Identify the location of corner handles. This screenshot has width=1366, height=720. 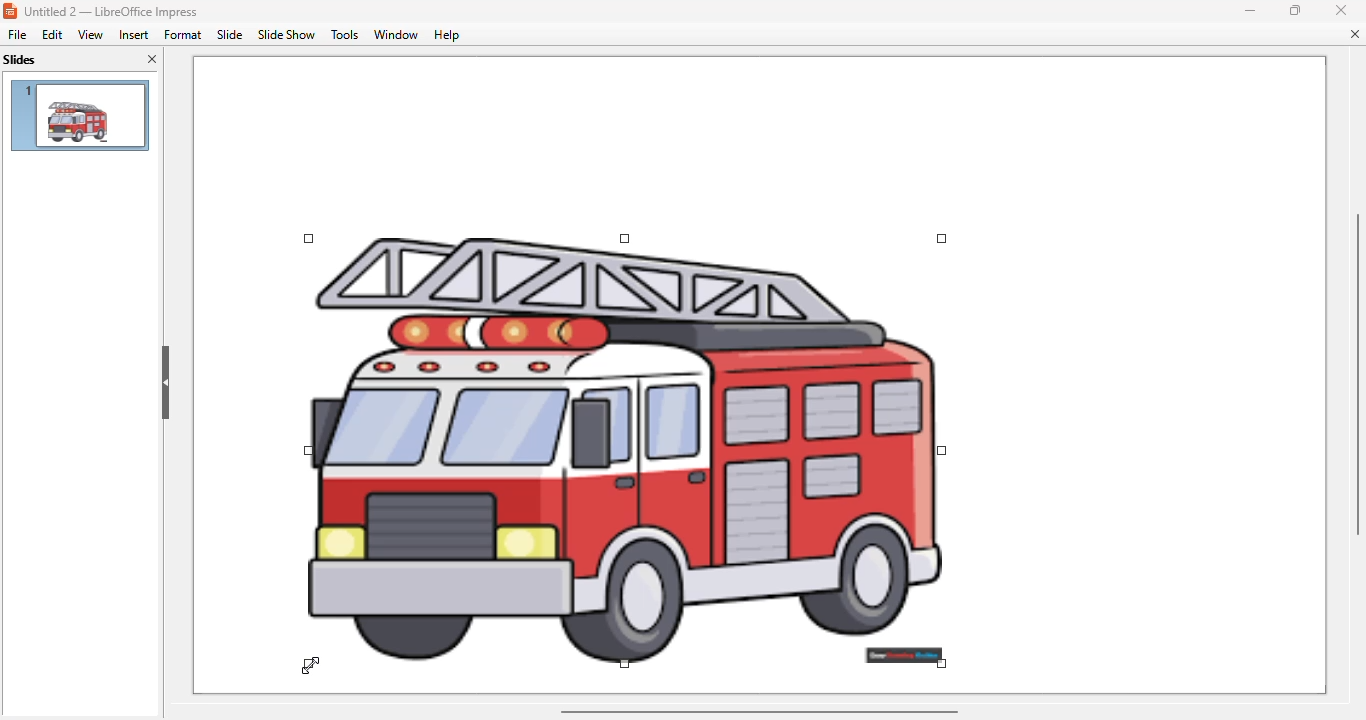
(941, 238).